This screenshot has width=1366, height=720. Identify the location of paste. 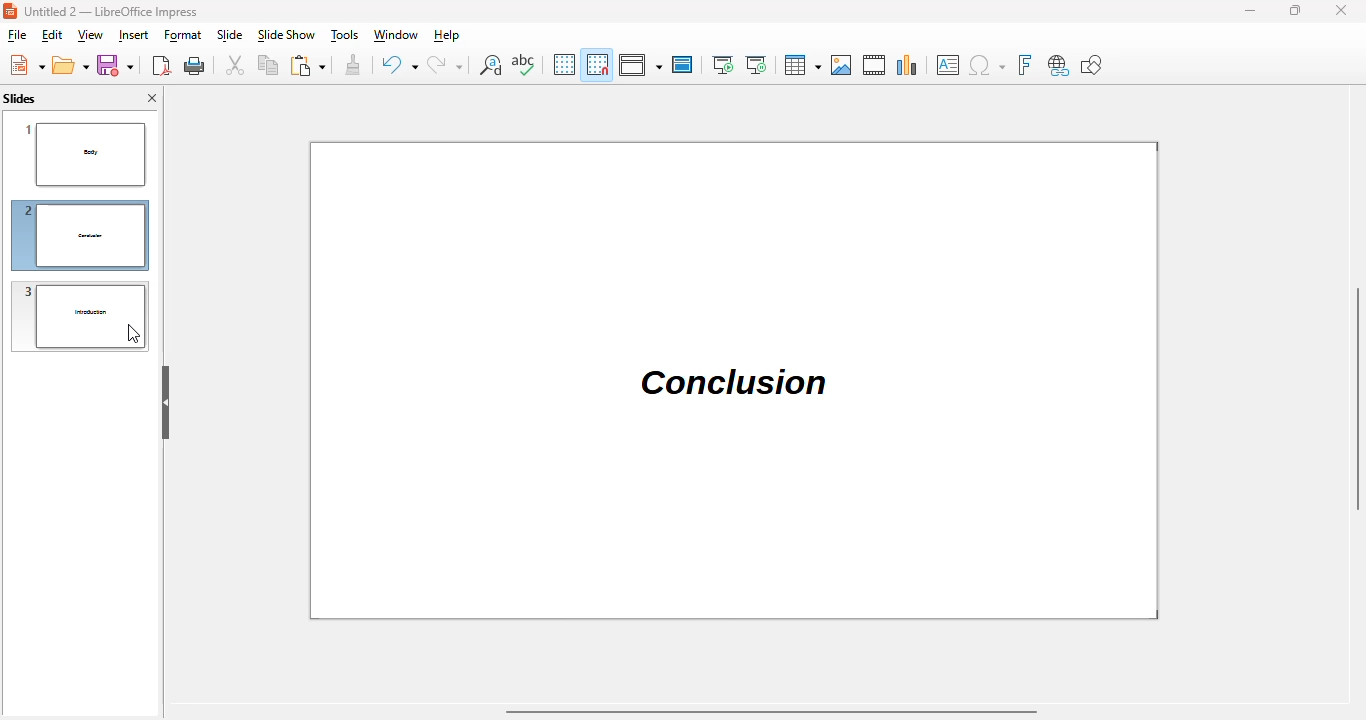
(307, 65).